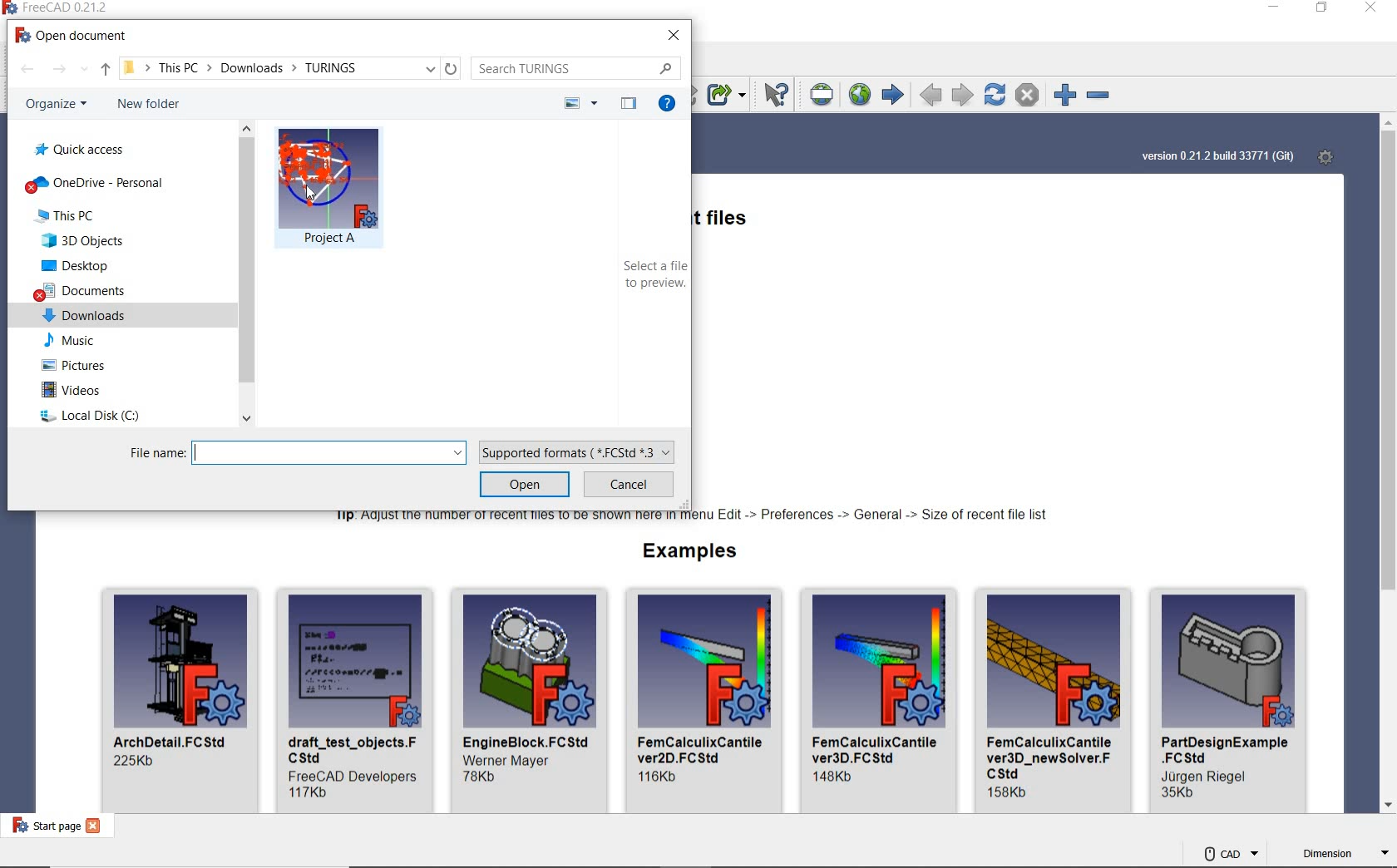  I want to click on dev name, so click(353, 774).